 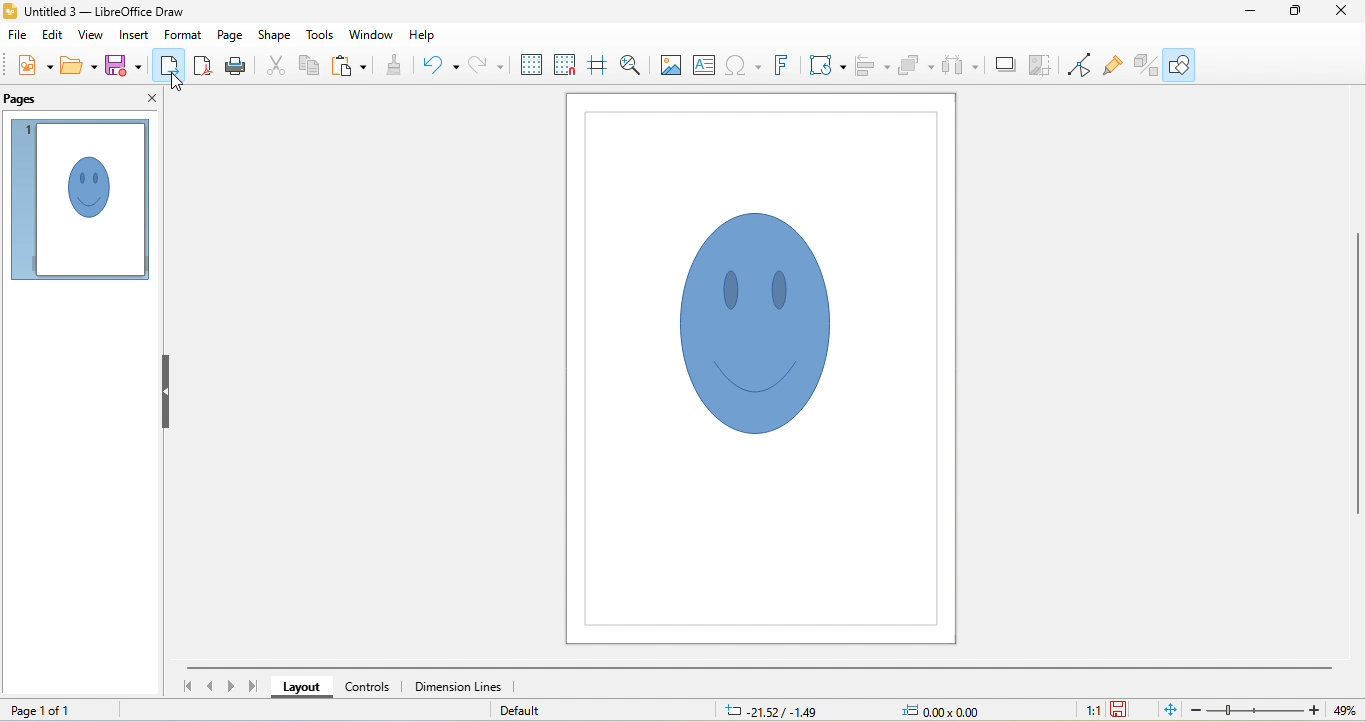 What do you see at coordinates (1293, 11) in the screenshot?
I see `maximize` at bounding box center [1293, 11].